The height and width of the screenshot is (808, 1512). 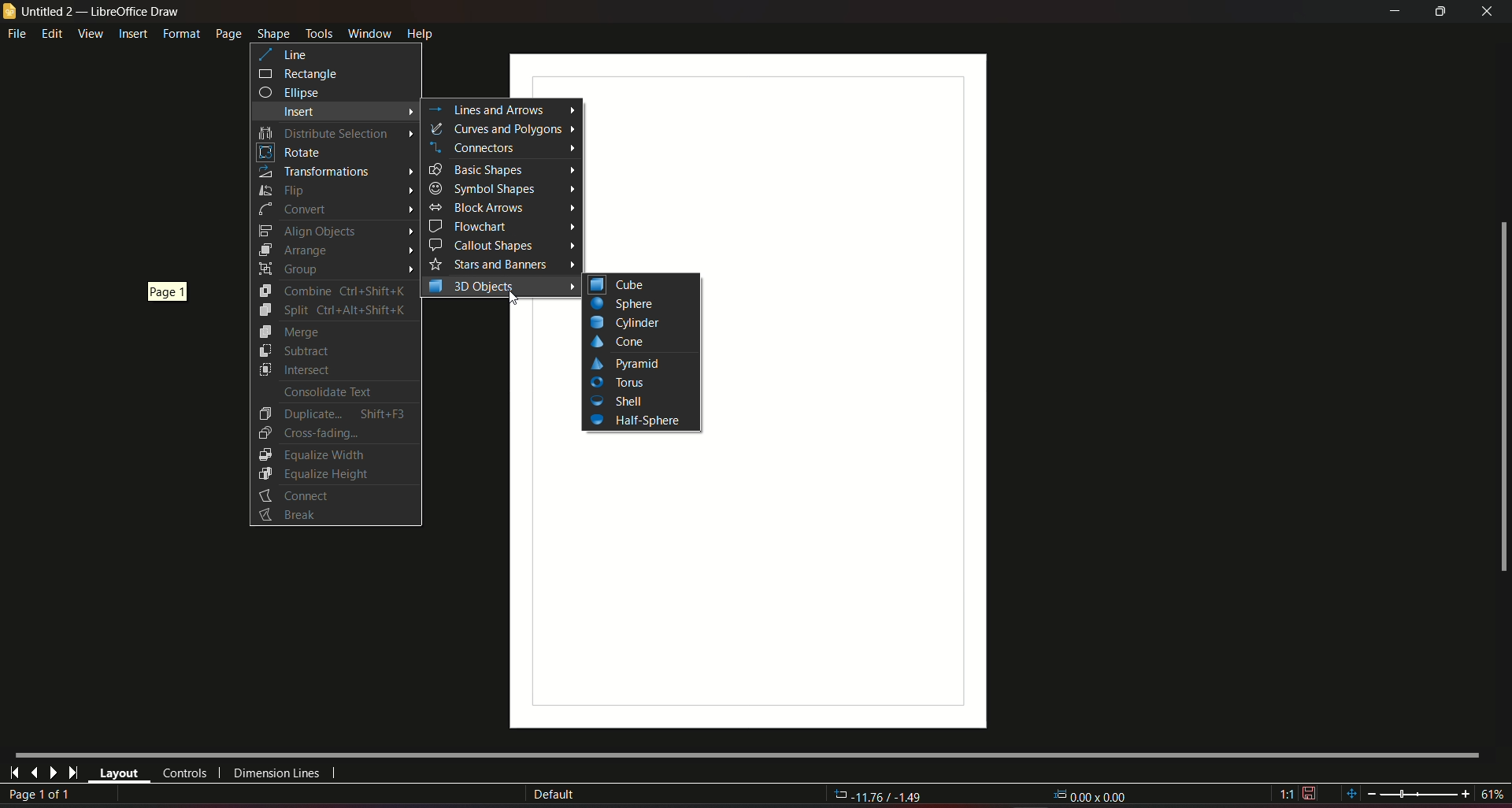 I want to click on Flowchart, so click(x=472, y=226).